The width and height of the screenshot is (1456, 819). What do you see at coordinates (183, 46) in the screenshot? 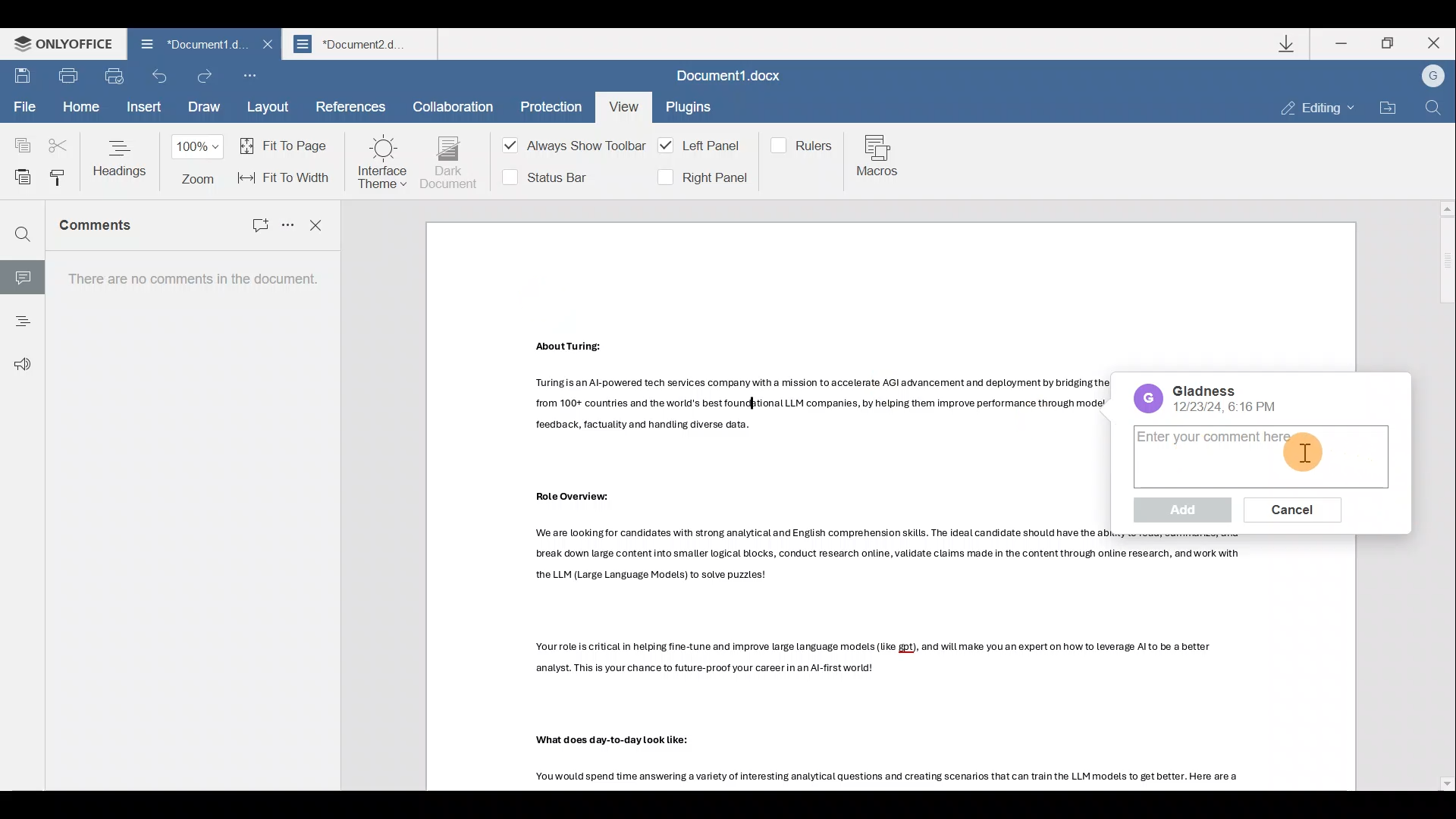
I see `Document1.d..` at bounding box center [183, 46].